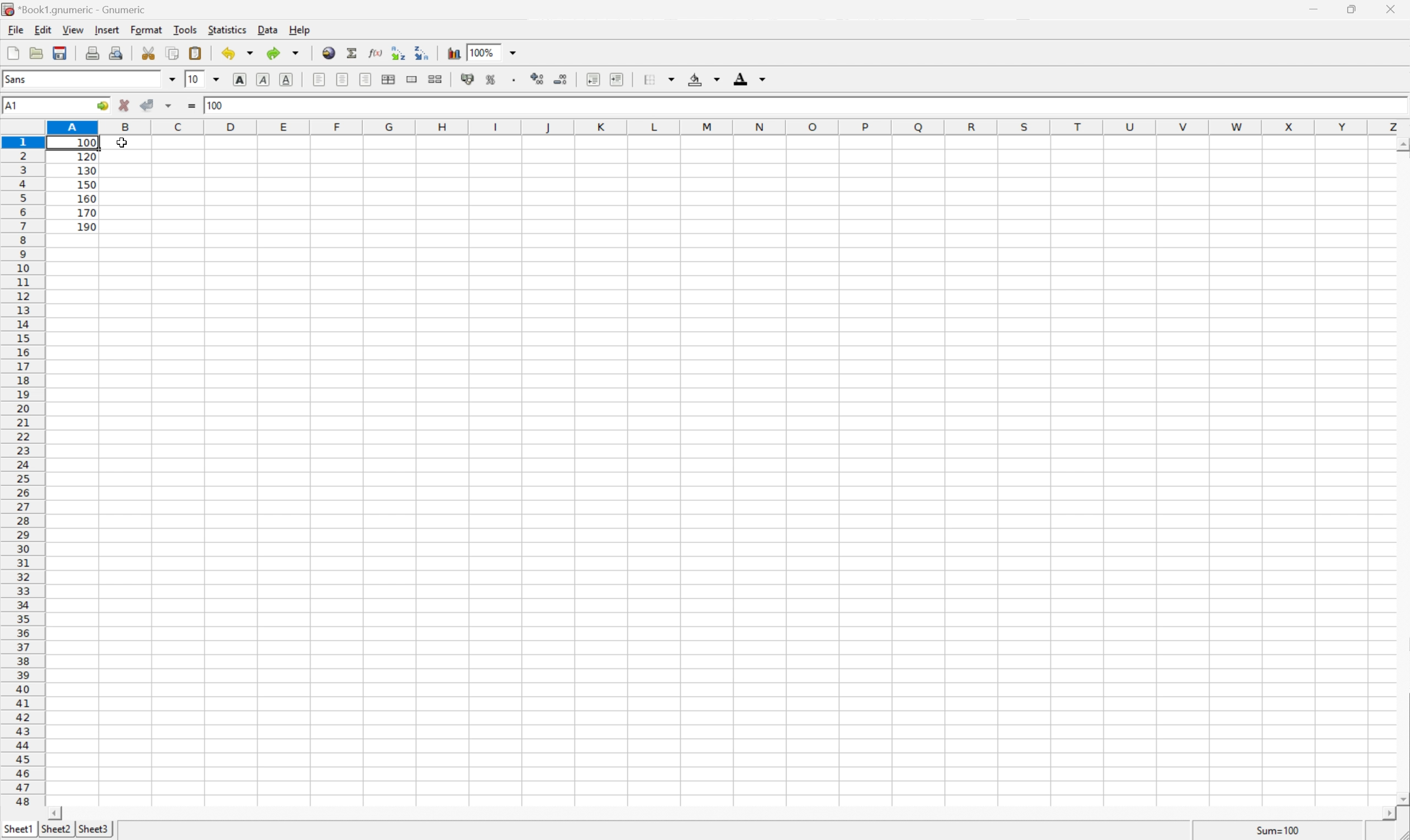  Describe the element at coordinates (1278, 829) in the screenshot. I see `Sum=100` at that location.